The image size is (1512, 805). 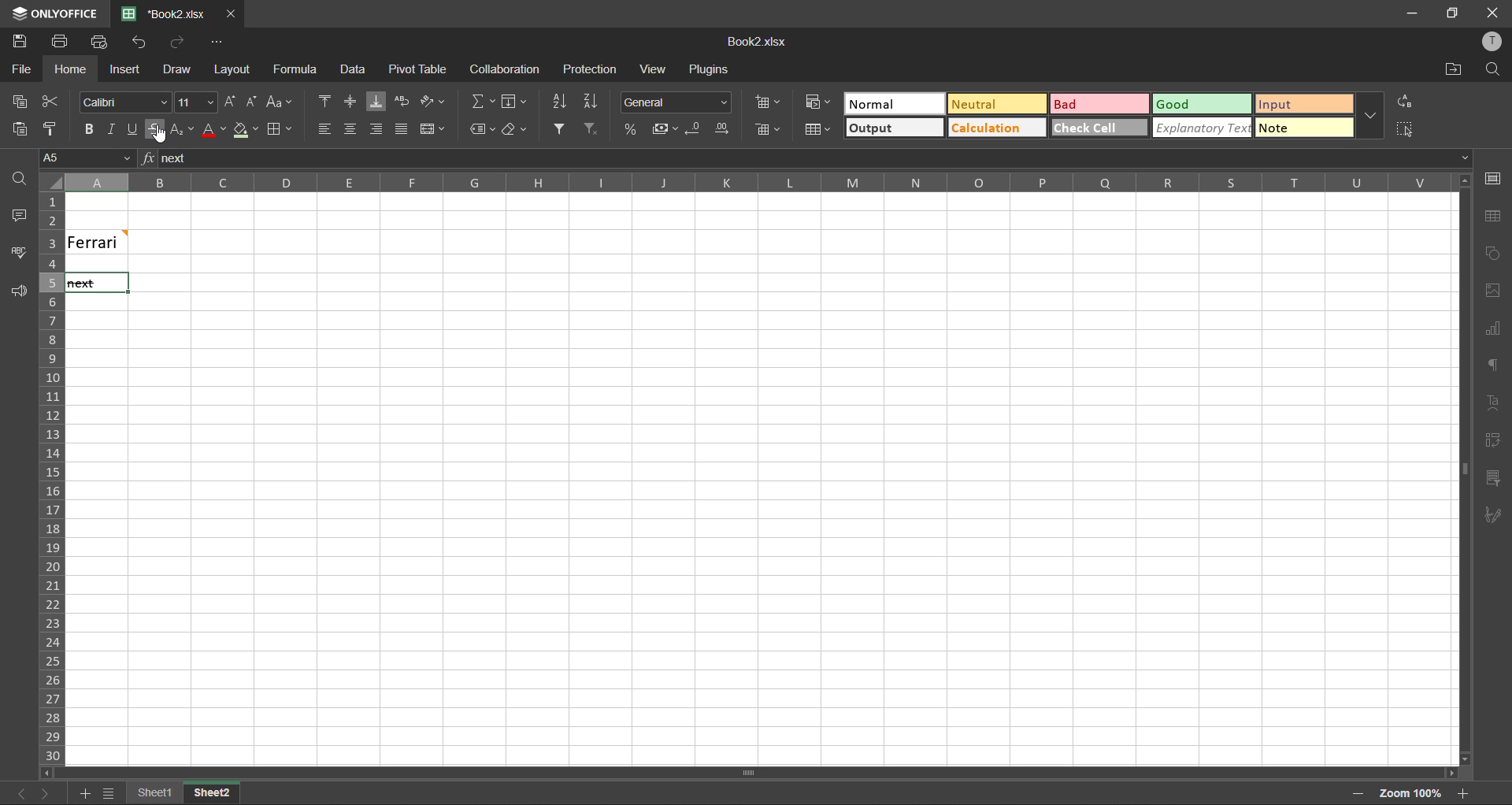 What do you see at coordinates (109, 794) in the screenshot?
I see `sheet names` at bounding box center [109, 794].